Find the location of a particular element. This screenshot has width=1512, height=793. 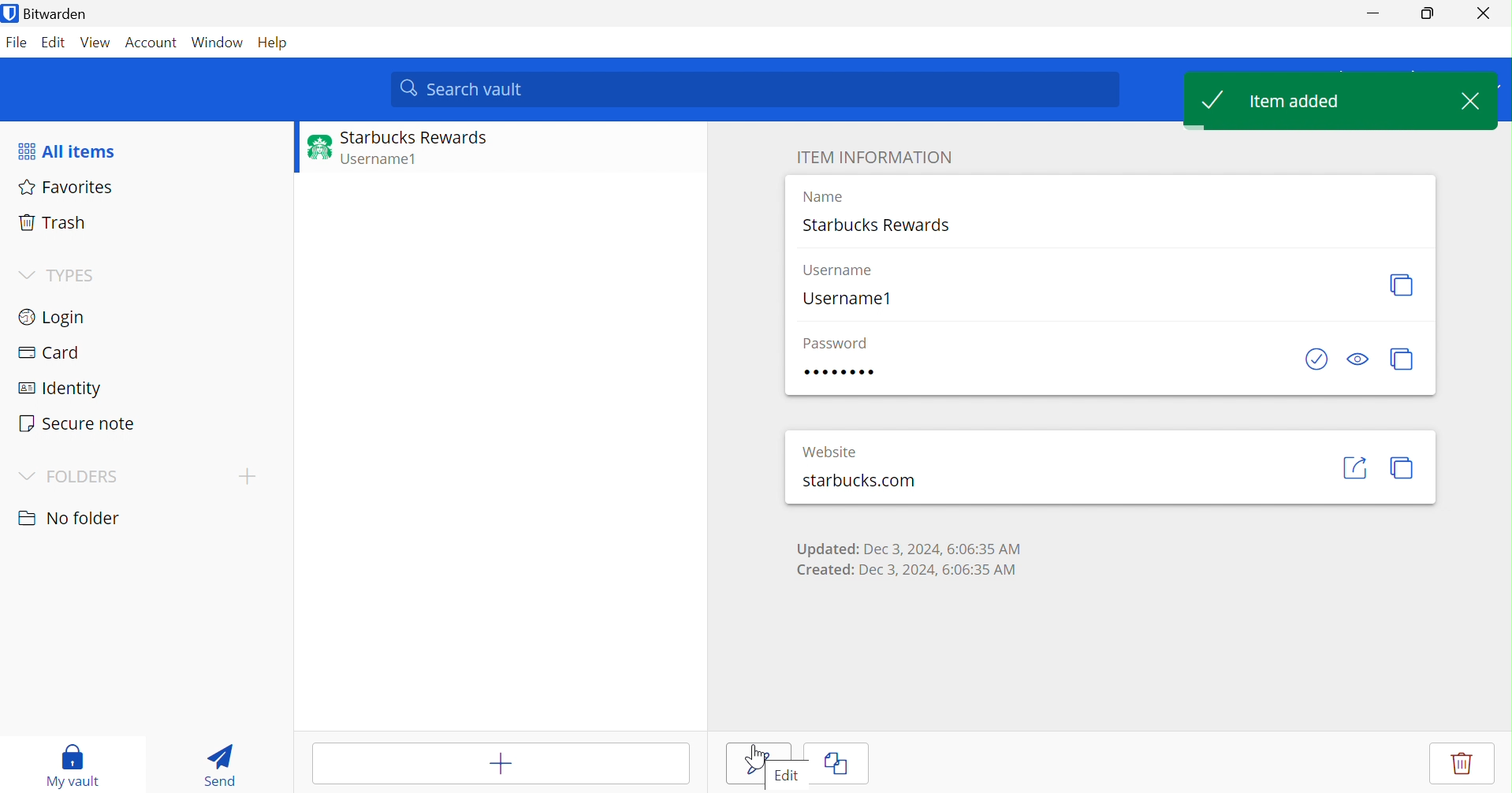

My vault is located at coordinates (77, 766).